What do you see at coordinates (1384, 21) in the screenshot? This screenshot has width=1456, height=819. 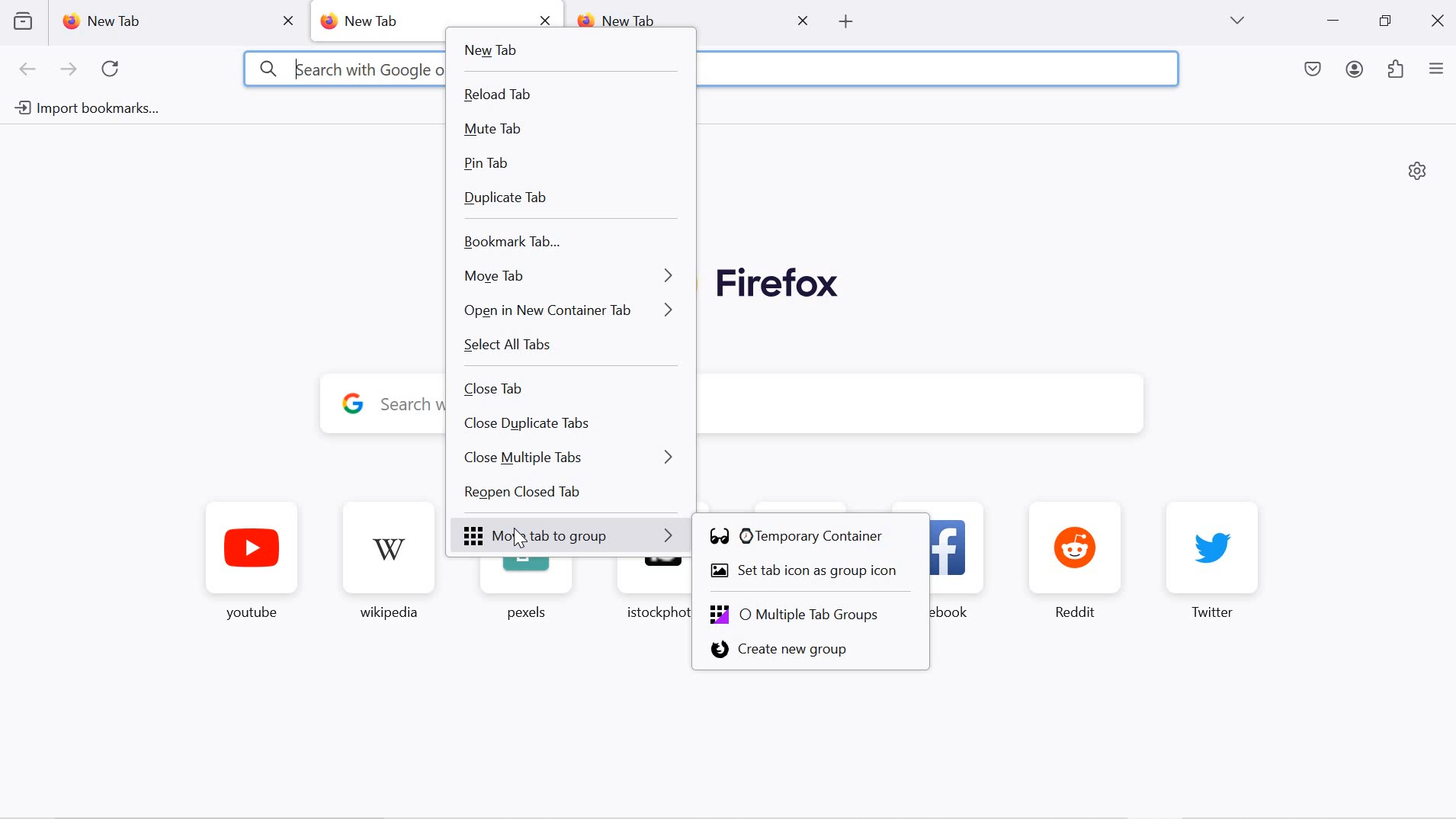 I see `restore down` at bounding box center [1384, 21].